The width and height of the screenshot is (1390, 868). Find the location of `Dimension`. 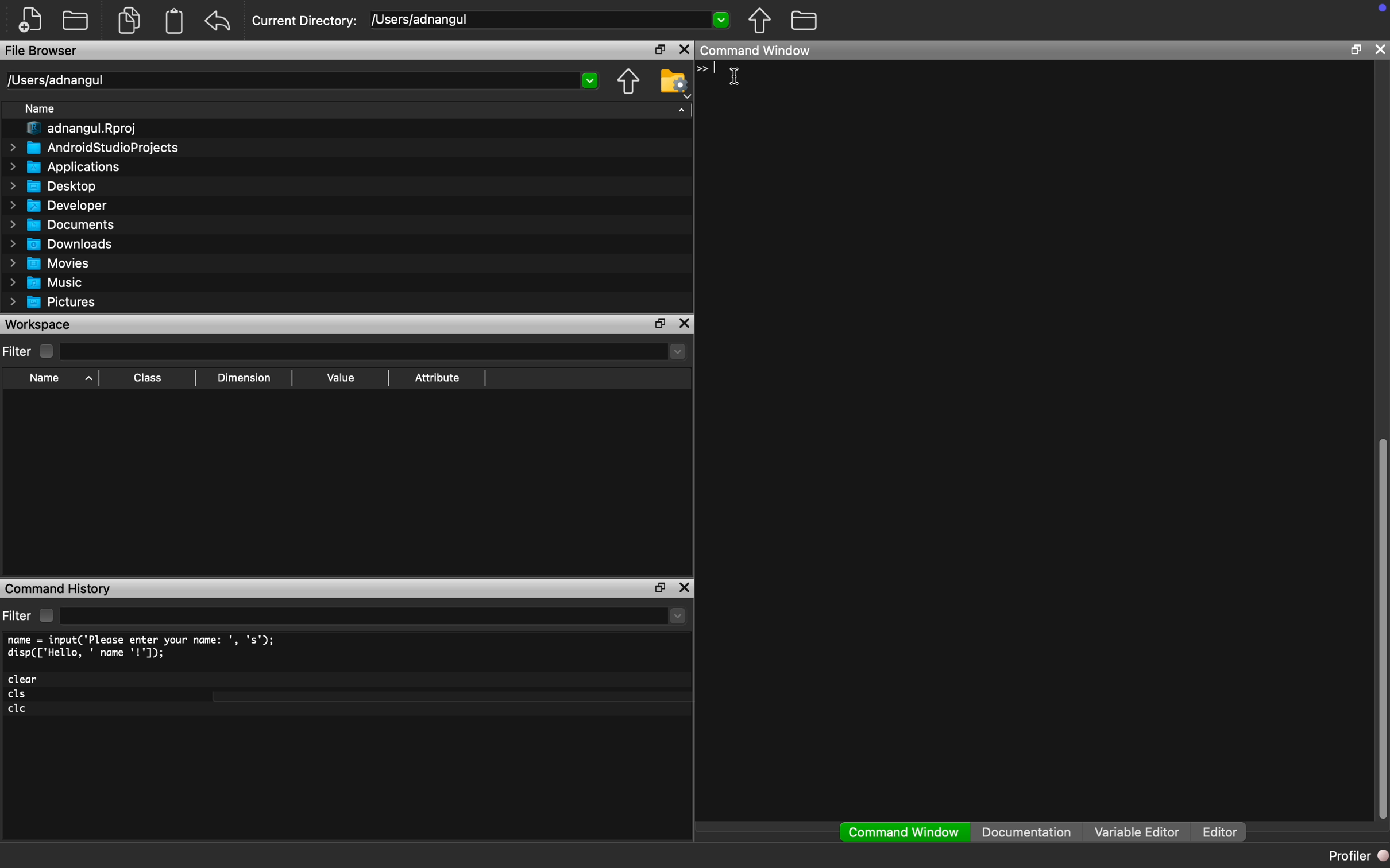

Dimension is located at coordinates (244, 378).